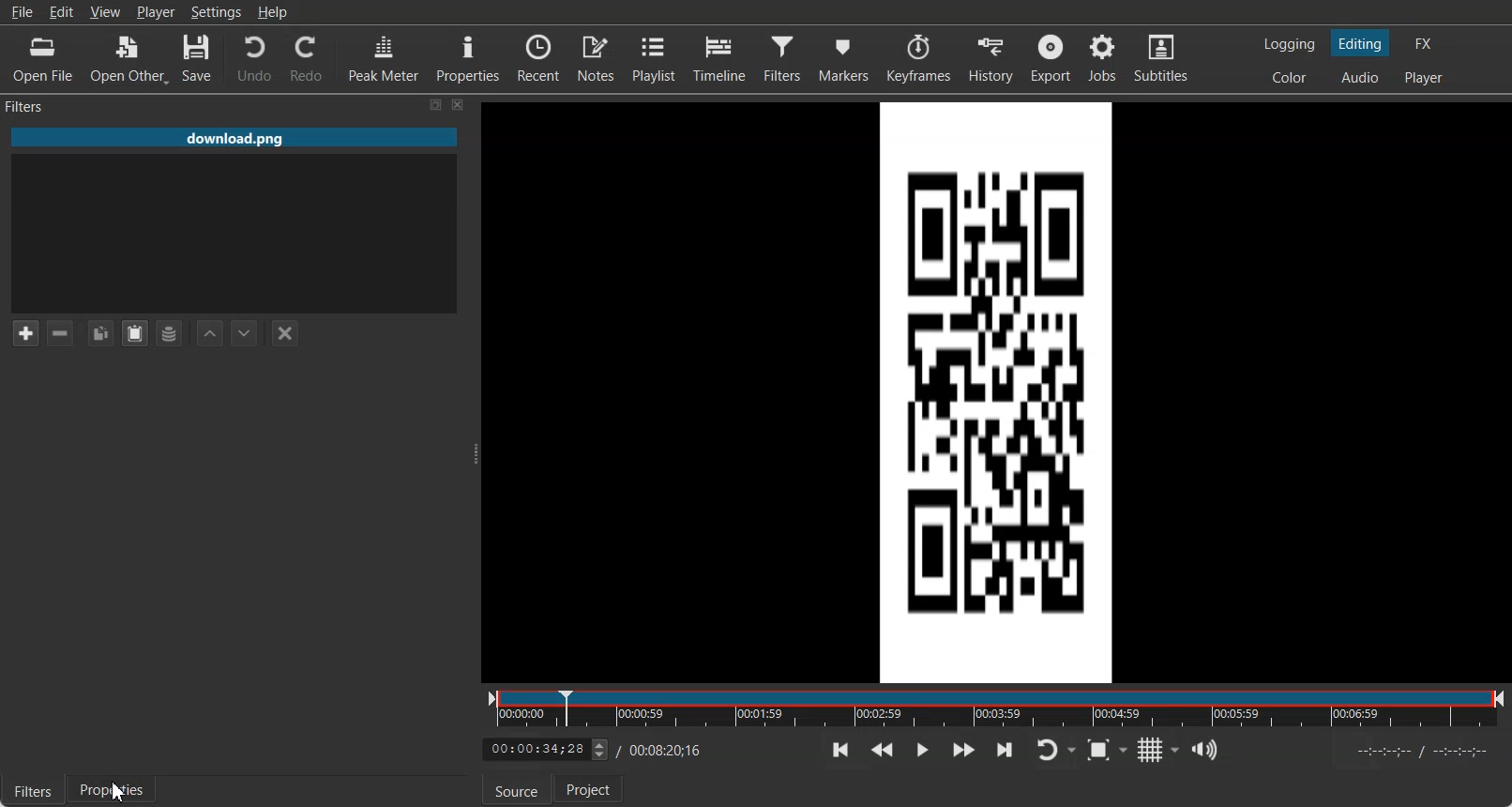 The width and height of the screenshot is (1512, 807). What do you see at coordinates (1287, 78) in the screenshot?
I see `Switch to Color layout` at bounding box center [1287, 78].